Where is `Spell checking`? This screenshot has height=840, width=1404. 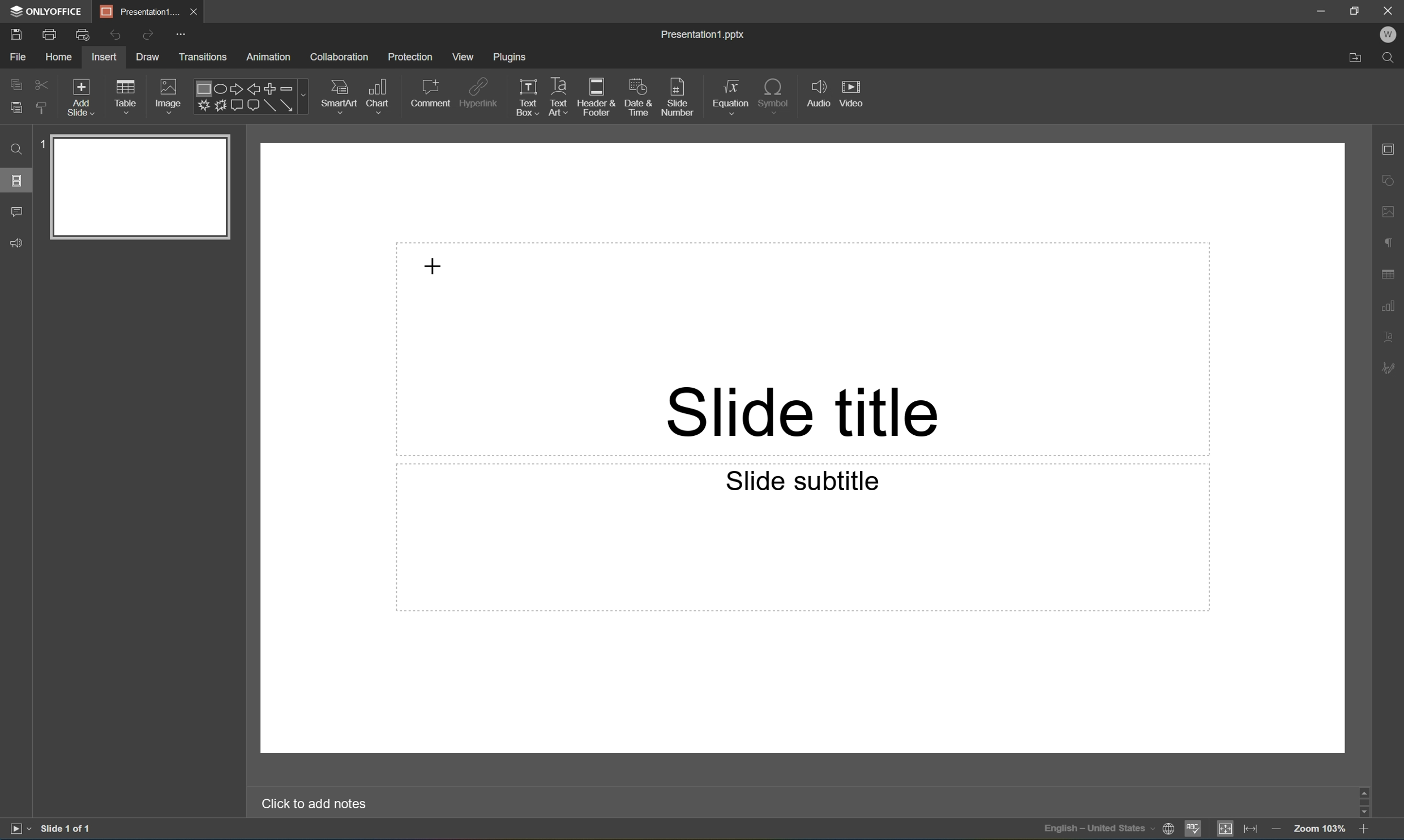 Spell checking is located at coordinates (1193, 830).